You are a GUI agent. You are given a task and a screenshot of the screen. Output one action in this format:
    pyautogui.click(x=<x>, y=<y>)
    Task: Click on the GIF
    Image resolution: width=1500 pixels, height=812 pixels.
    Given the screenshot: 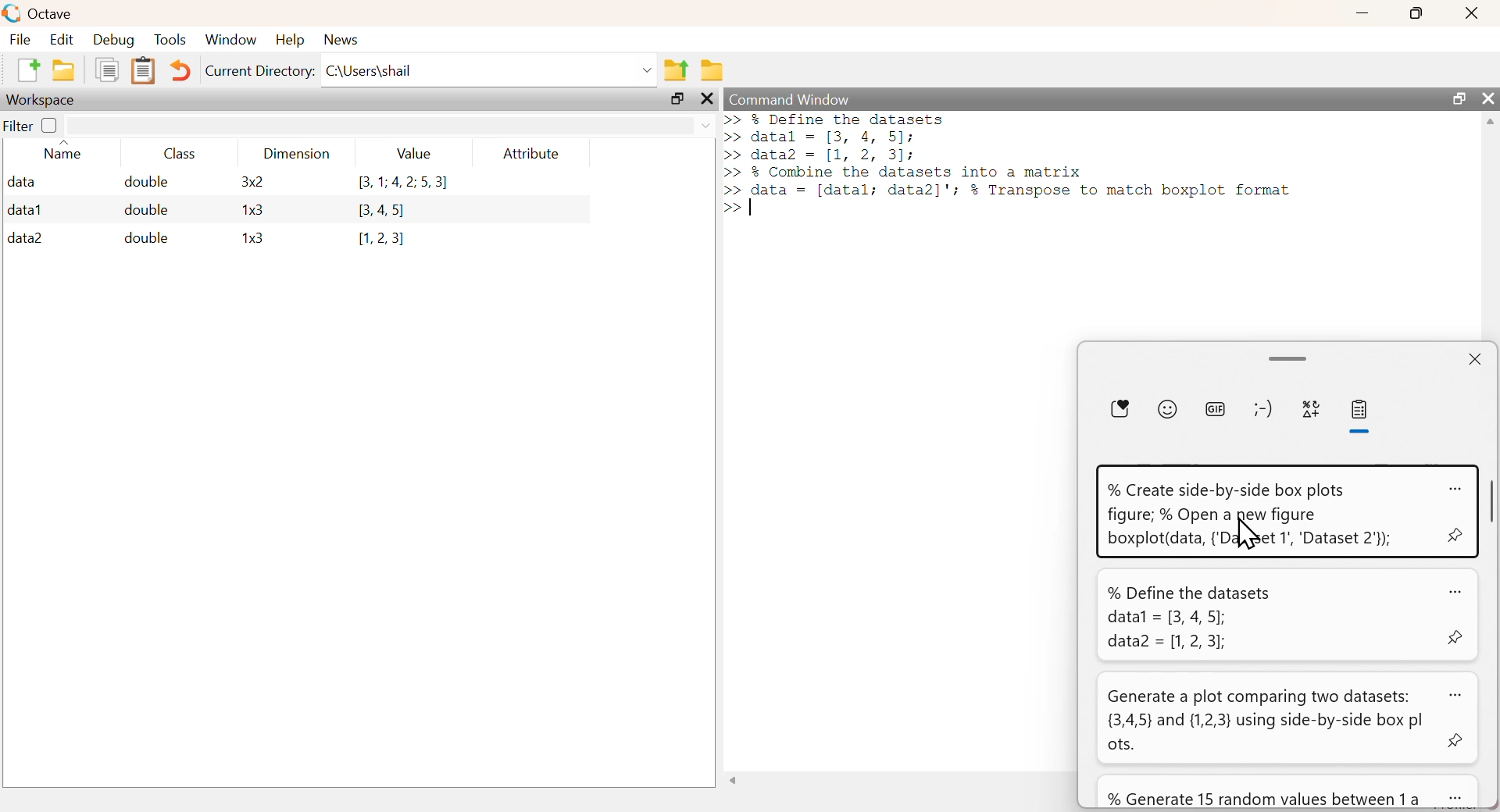 What is the action you would take?
    pyautogui.click(x=1213, y=408)
    